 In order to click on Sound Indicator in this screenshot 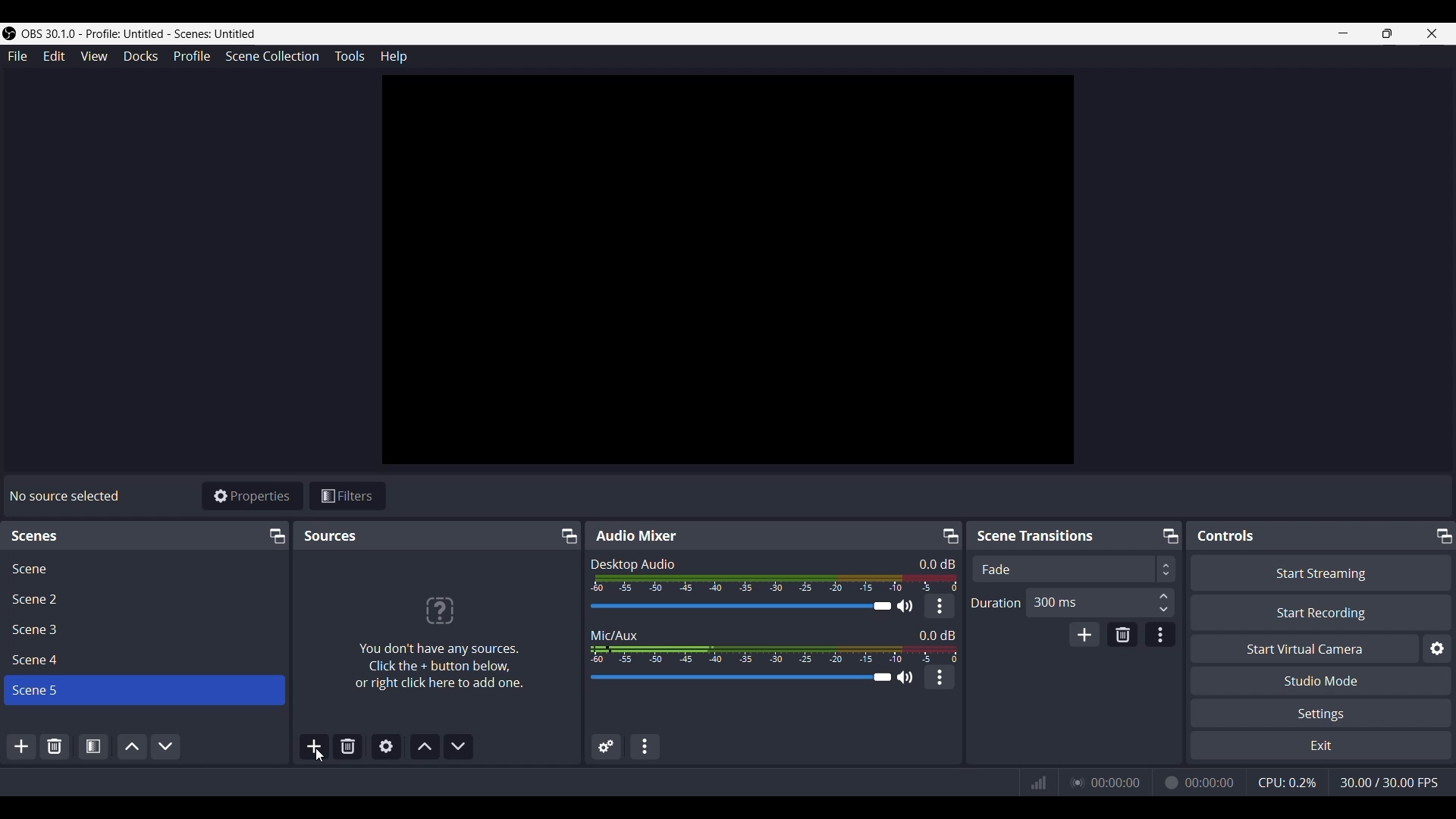, I will do `click(772, 654)`.